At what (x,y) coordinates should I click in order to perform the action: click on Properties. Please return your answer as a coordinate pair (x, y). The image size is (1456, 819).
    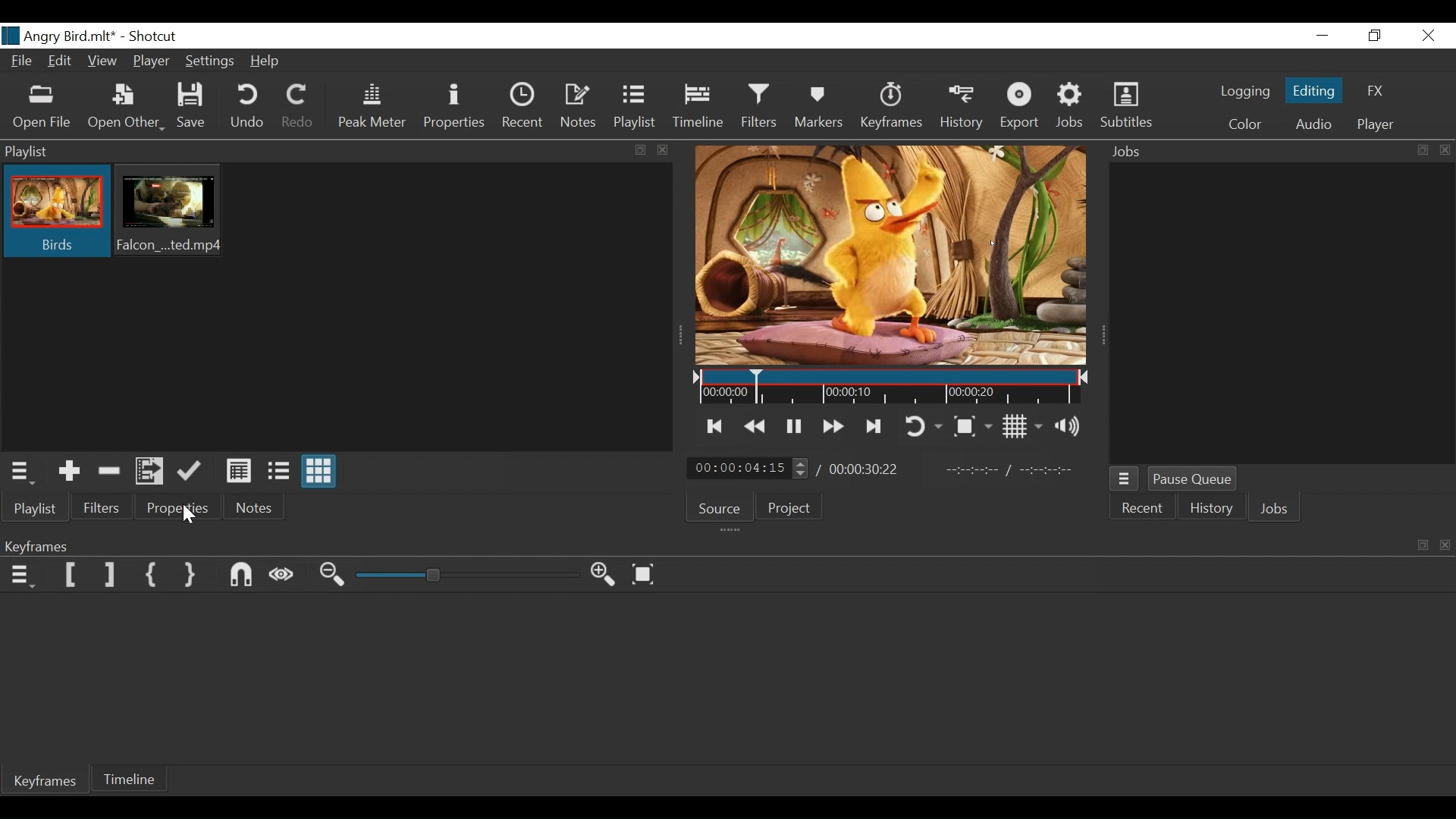
    Looking at the image, I should click on (453, 106).